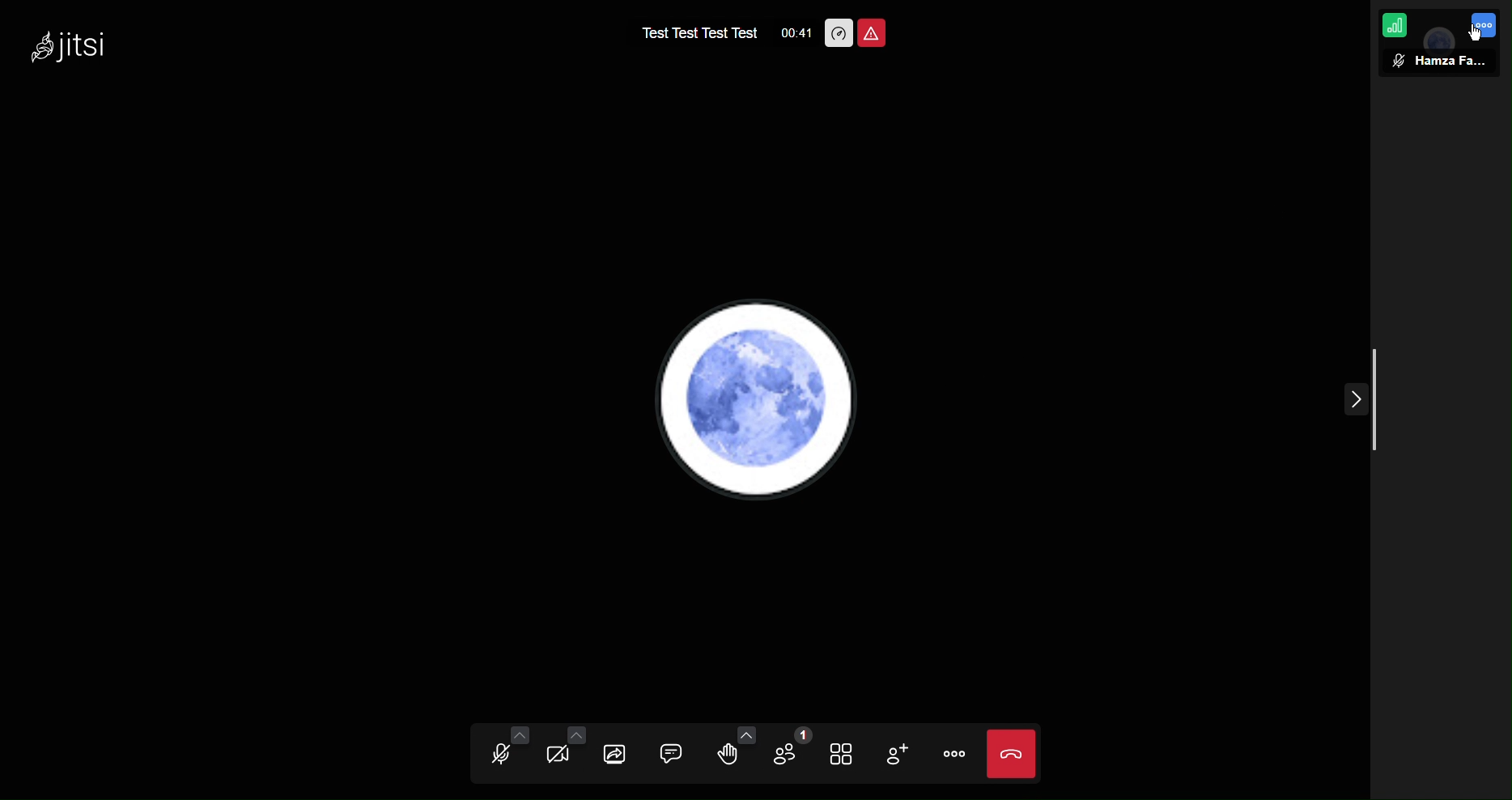 The height and width of the screenshot is (800, 1512). I want to click on Raise hand, so click(728, 753).